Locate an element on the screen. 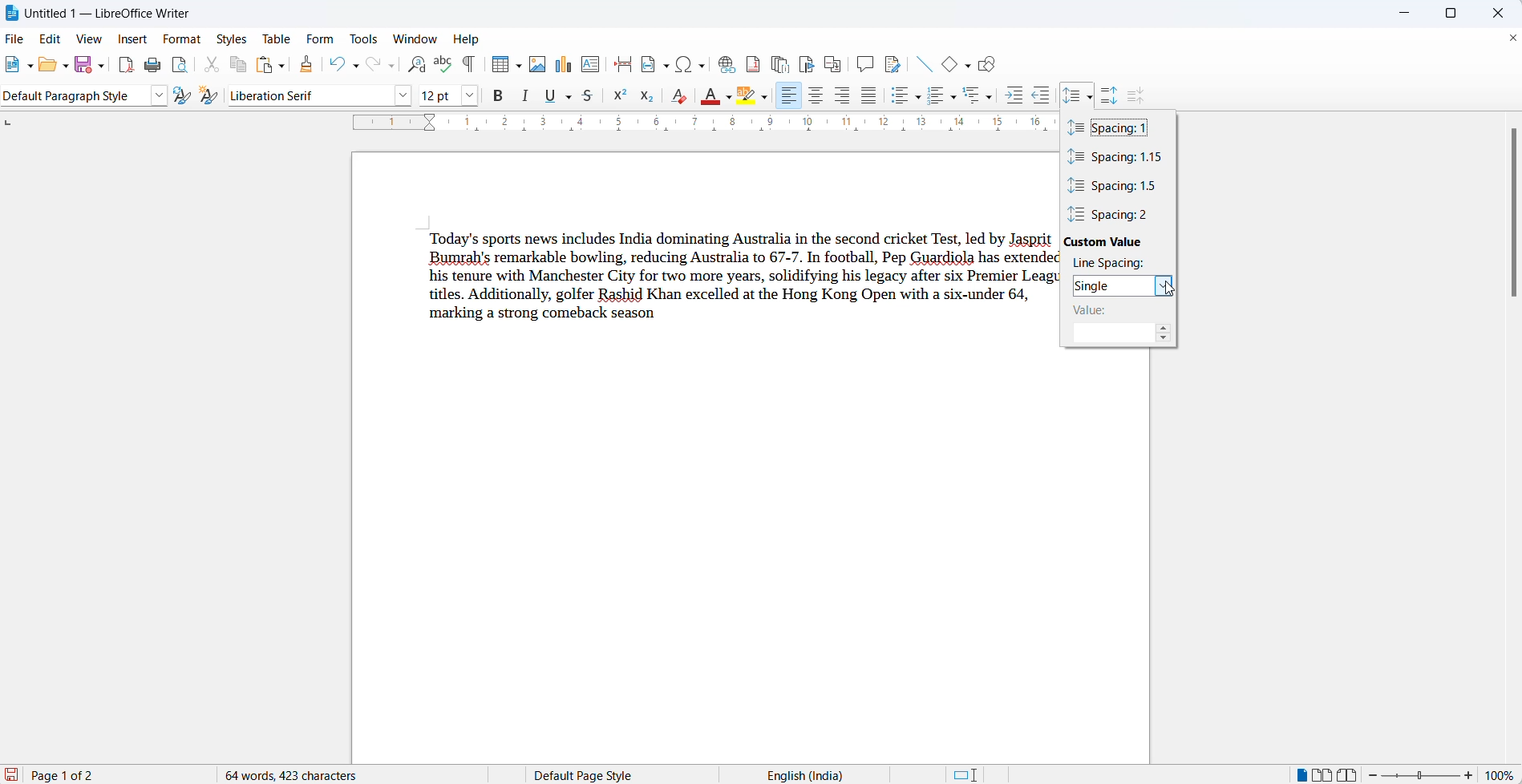  update selected style is located at coordinates (180, 95).